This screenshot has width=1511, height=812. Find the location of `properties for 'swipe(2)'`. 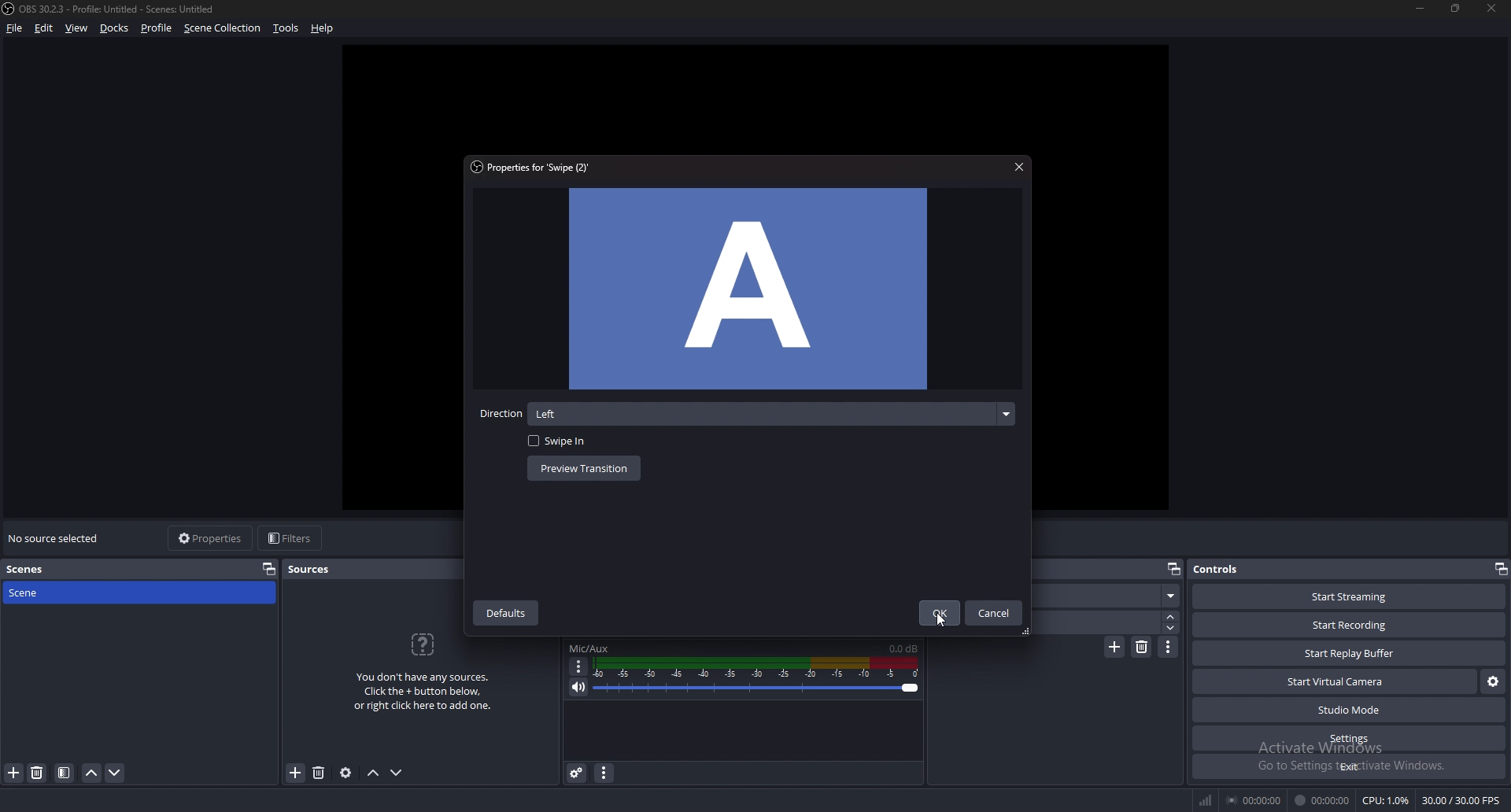

properties for 'swipe(2)' is located at coordinates (536, 168).